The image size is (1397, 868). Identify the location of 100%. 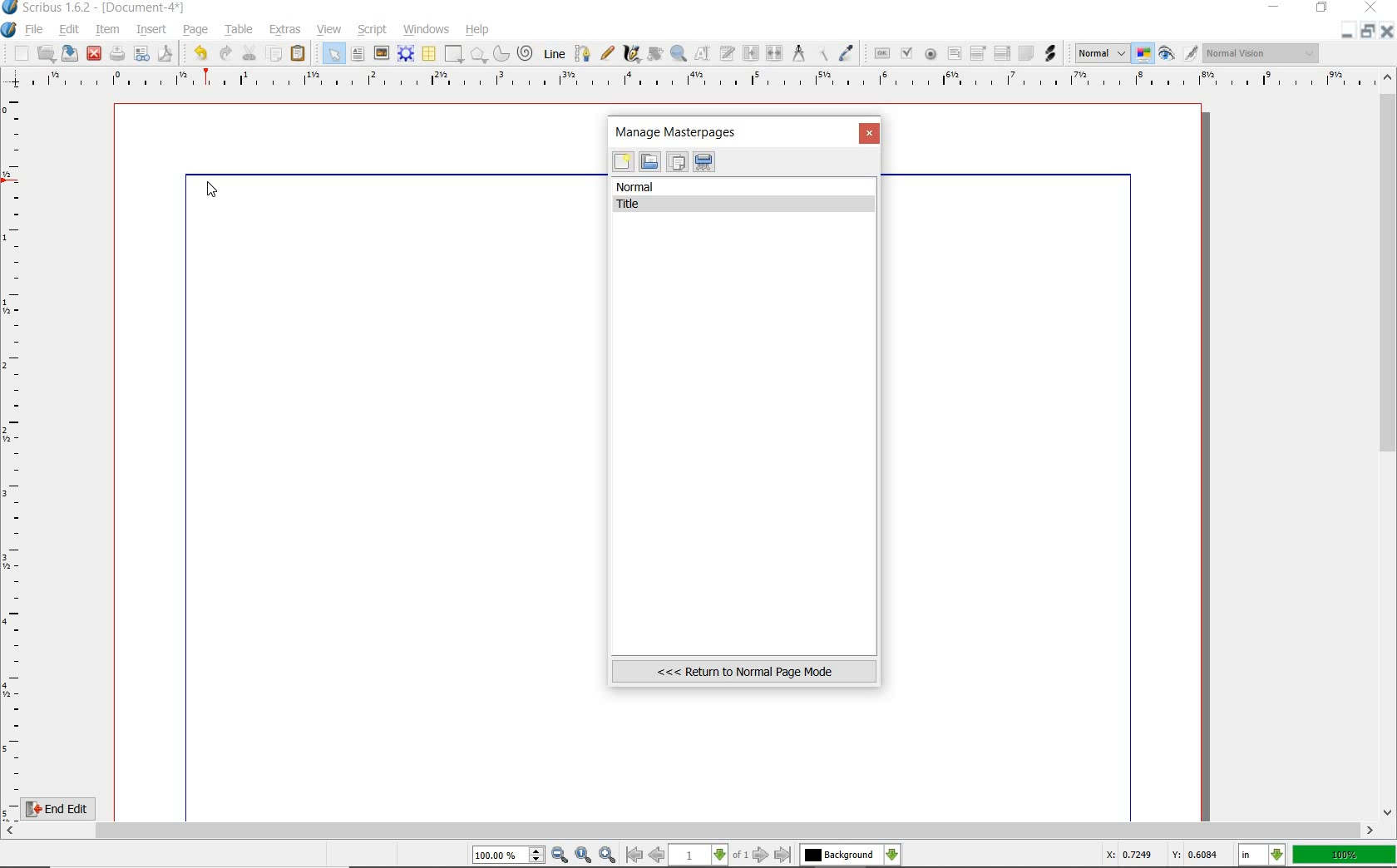
(1345, 855).